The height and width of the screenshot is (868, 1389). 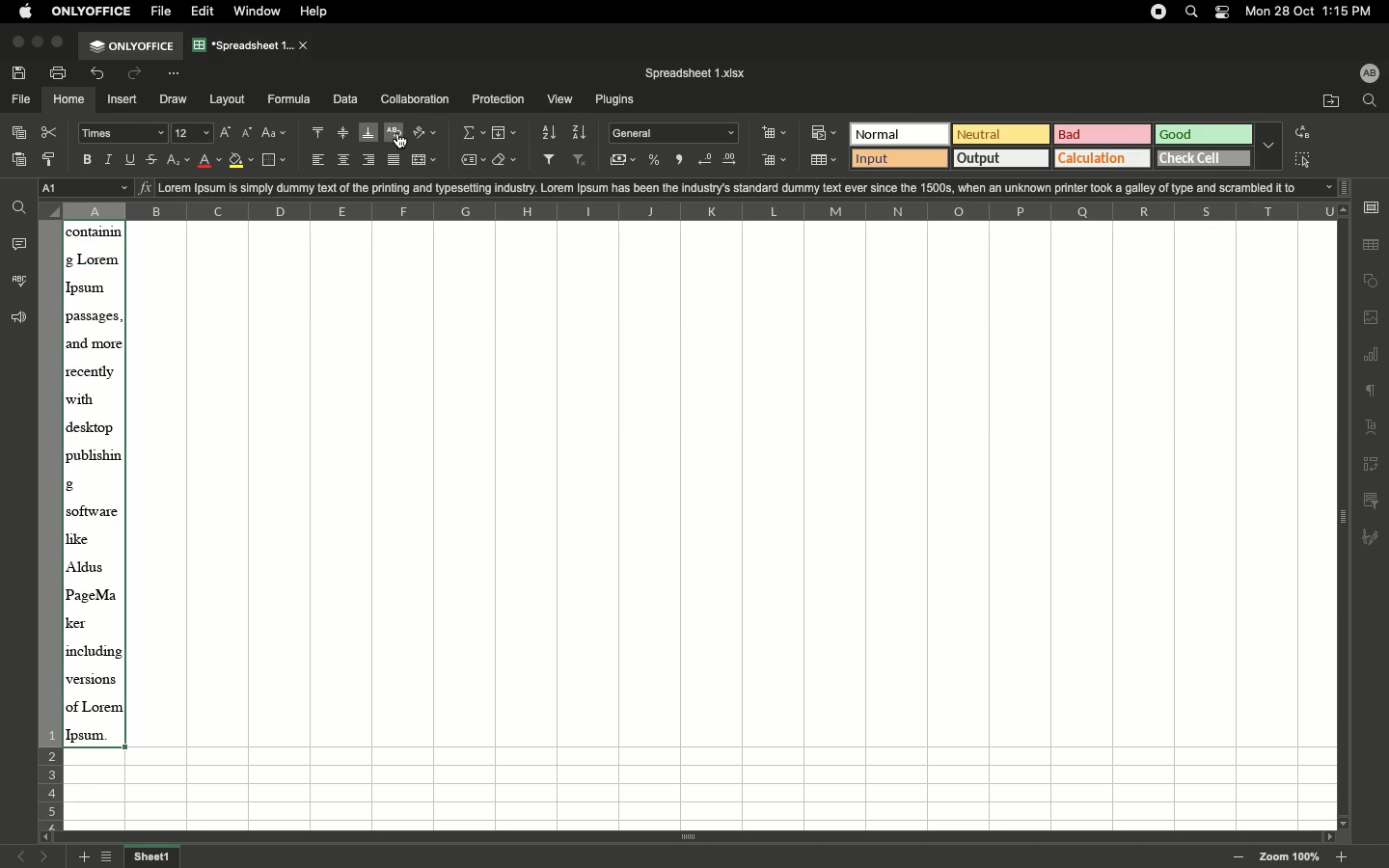 I want to click on Strikethrough, so click(x=155, y=158).